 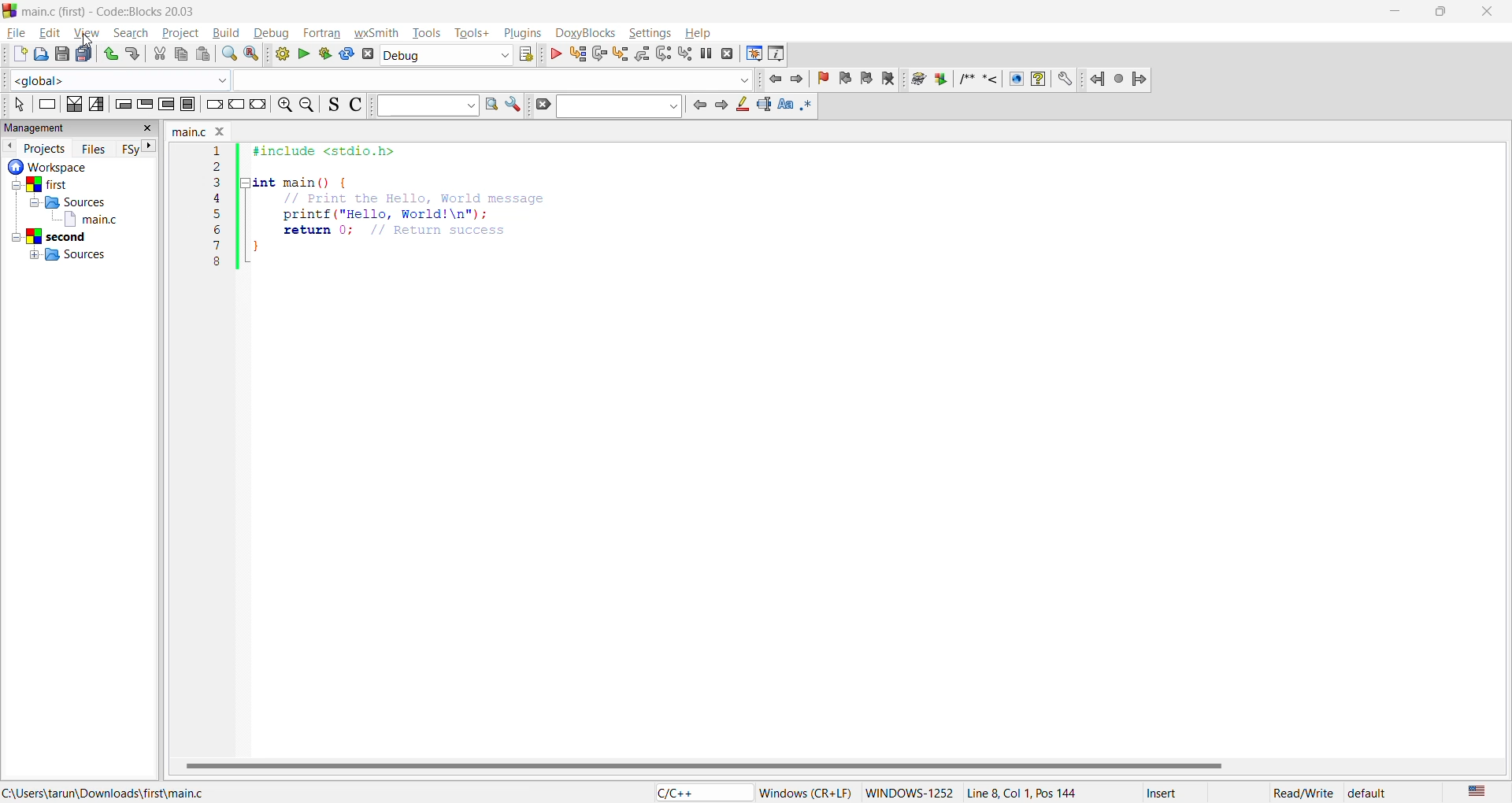 I want to click on zoom in, so click(x=282, y=105).